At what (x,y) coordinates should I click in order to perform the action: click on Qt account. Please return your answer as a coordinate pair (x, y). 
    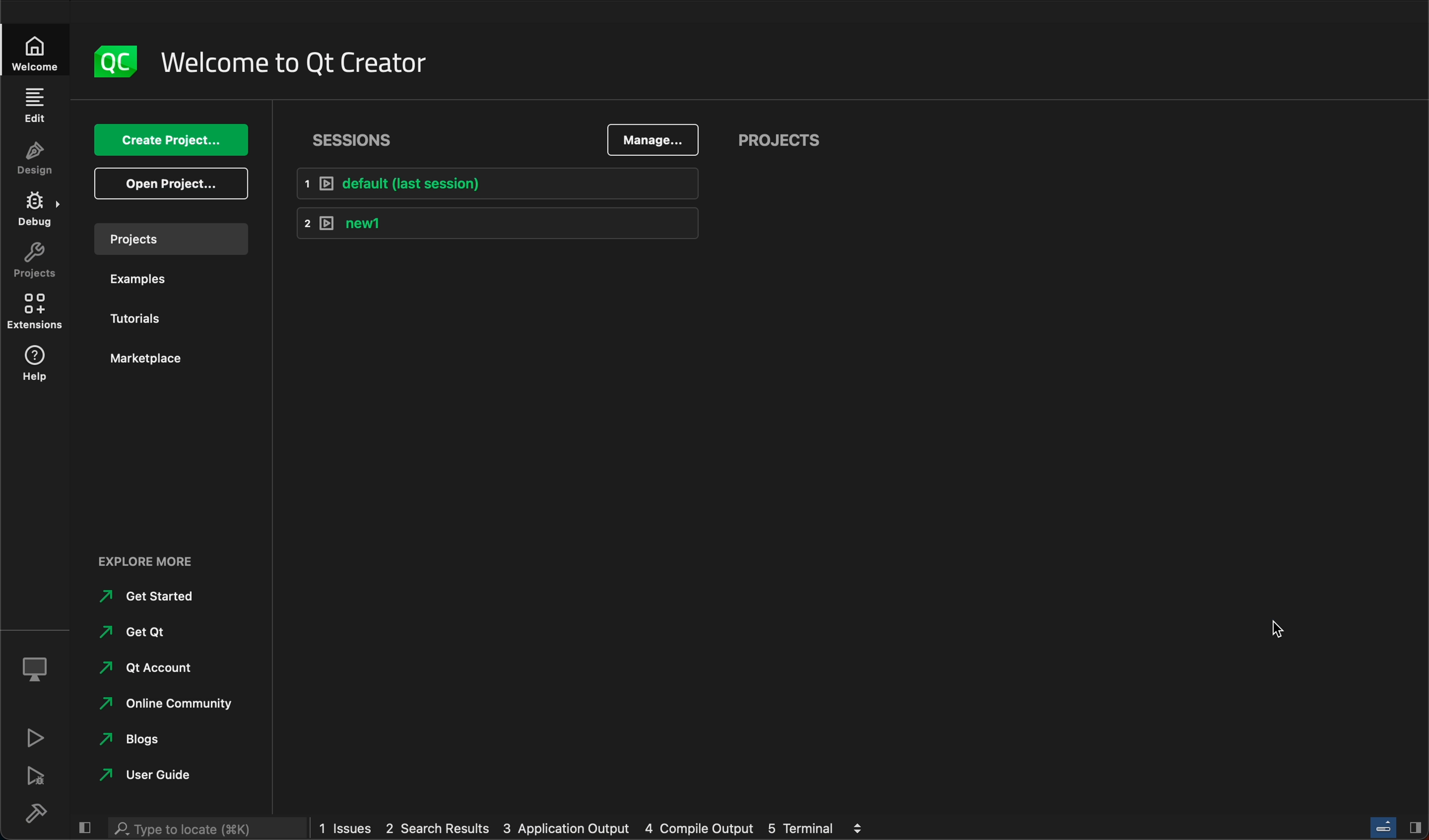
    Looking at the image, I should click on (158, 665).